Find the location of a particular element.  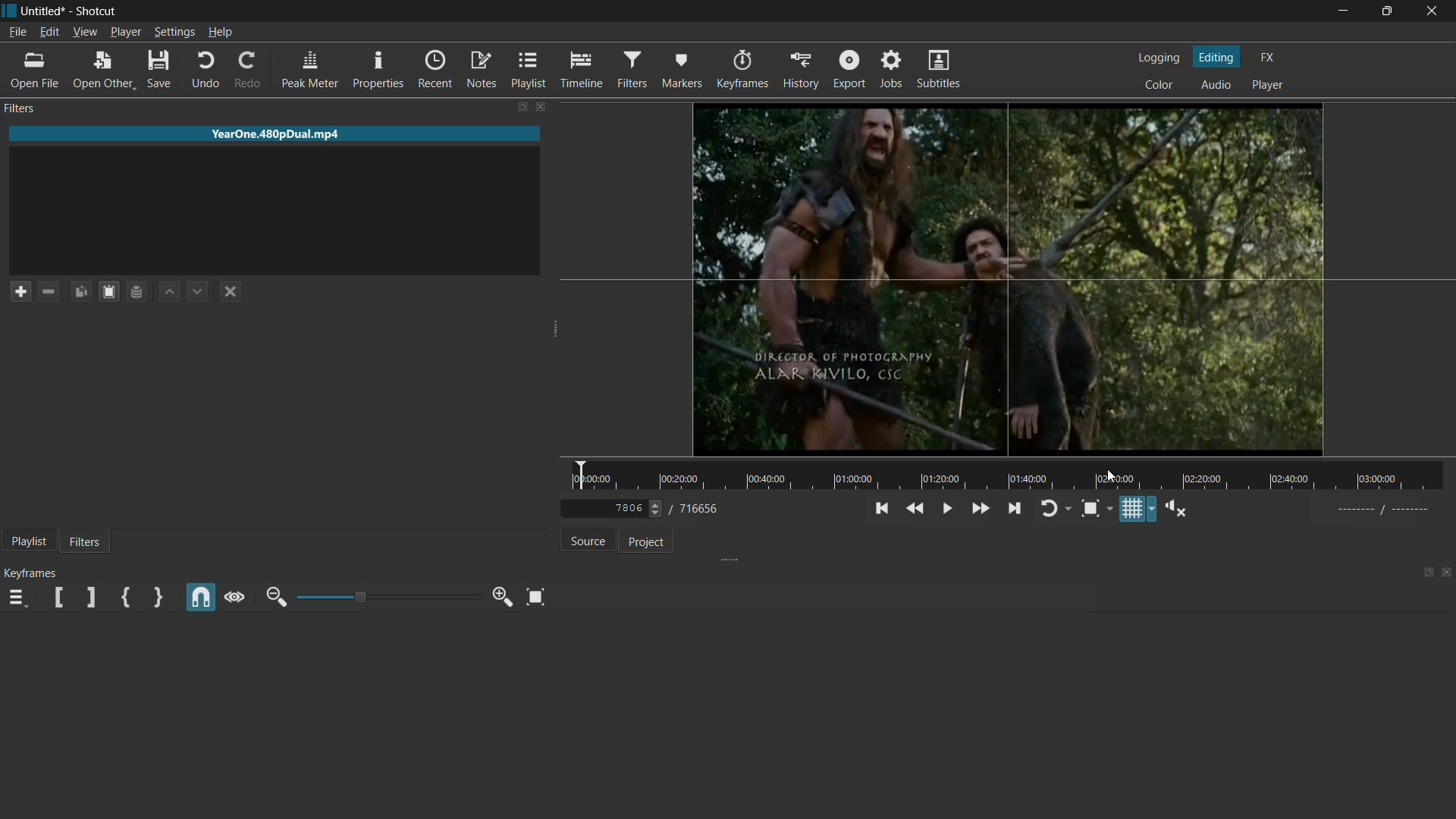

set filter start is located at coordinates (58, 597).